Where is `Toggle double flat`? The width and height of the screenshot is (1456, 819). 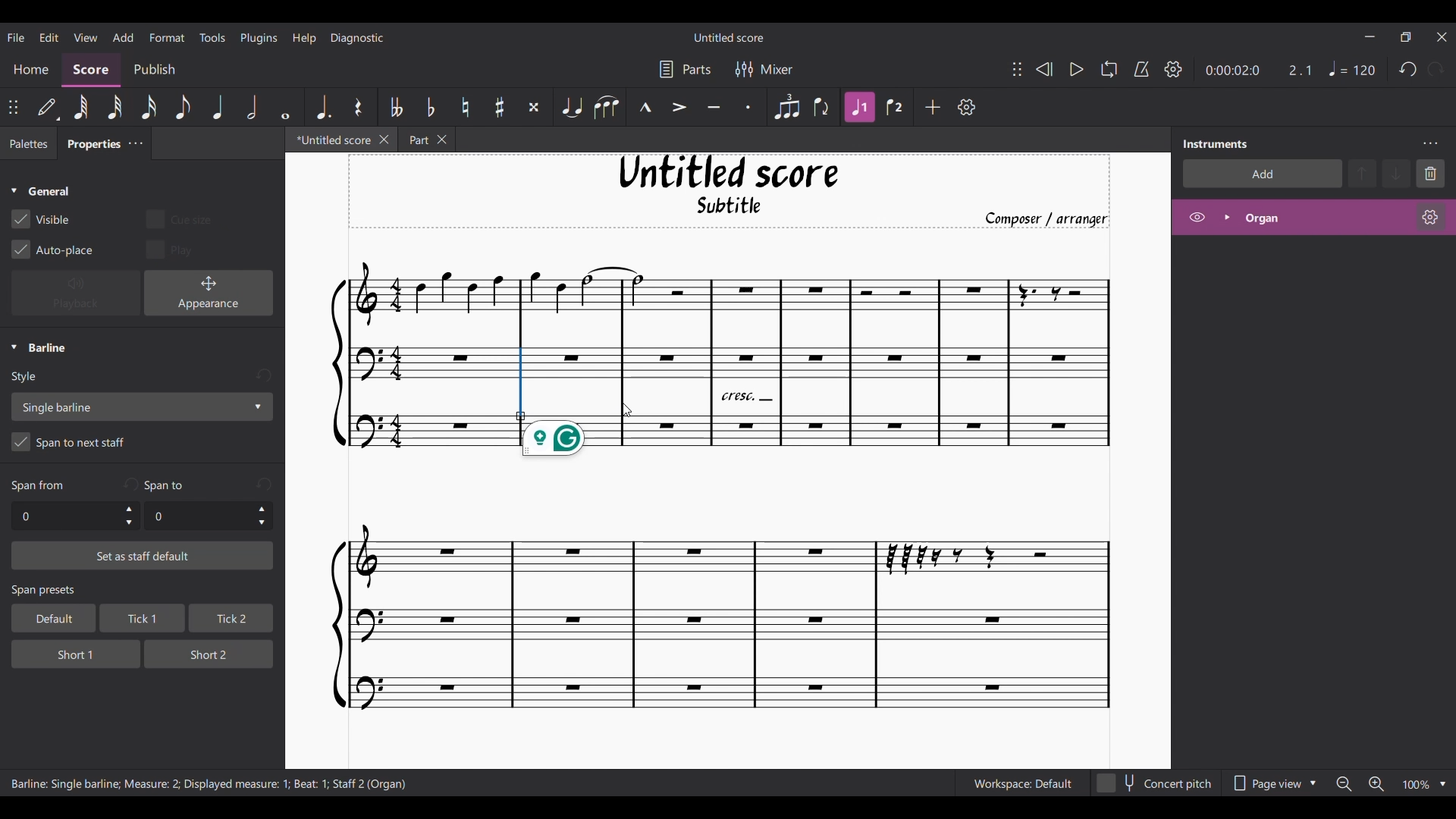 Toggle double flat is located at coordinates (394, 107).